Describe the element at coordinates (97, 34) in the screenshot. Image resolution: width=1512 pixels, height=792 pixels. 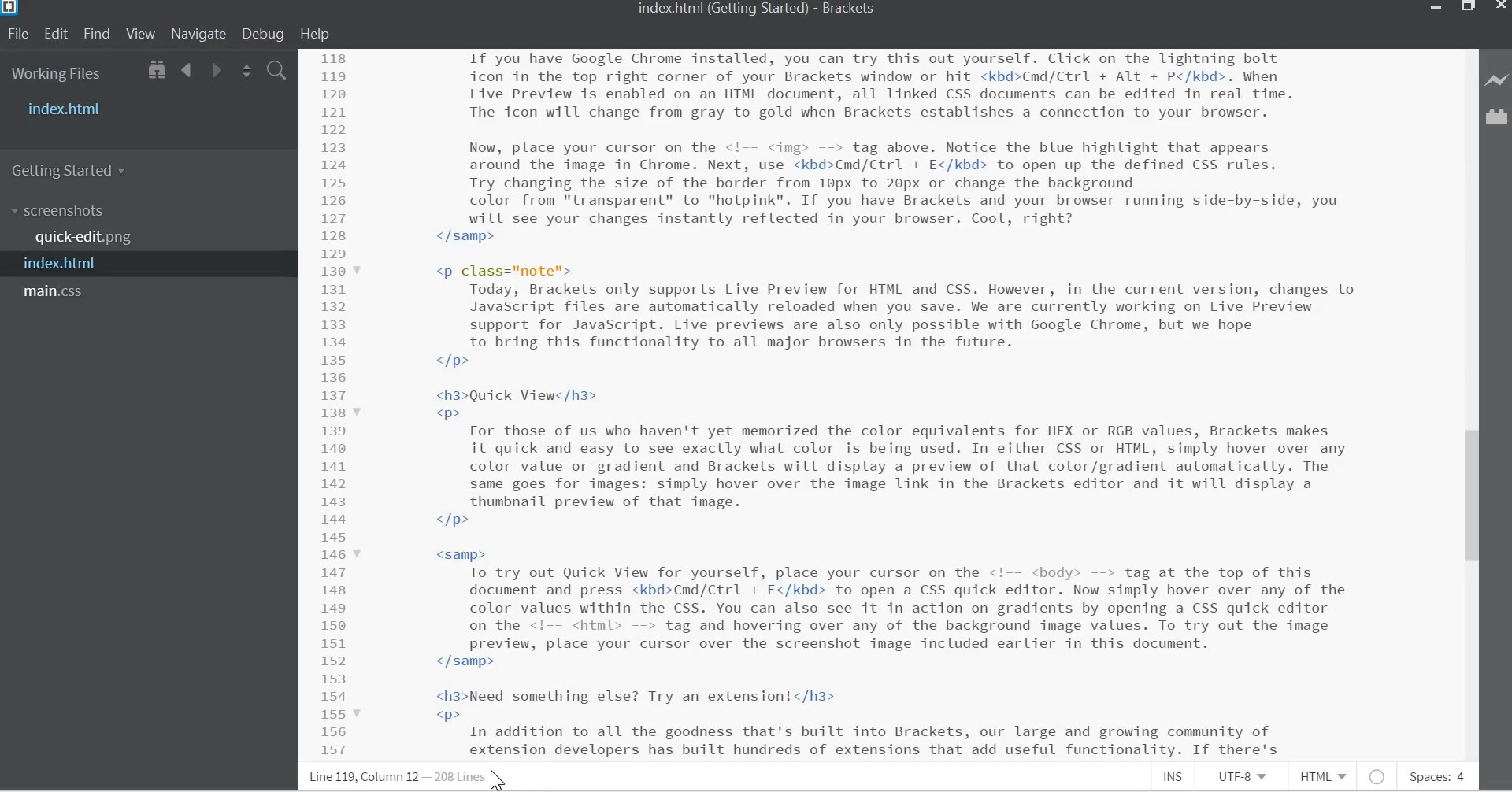
I see `Find` at that location.